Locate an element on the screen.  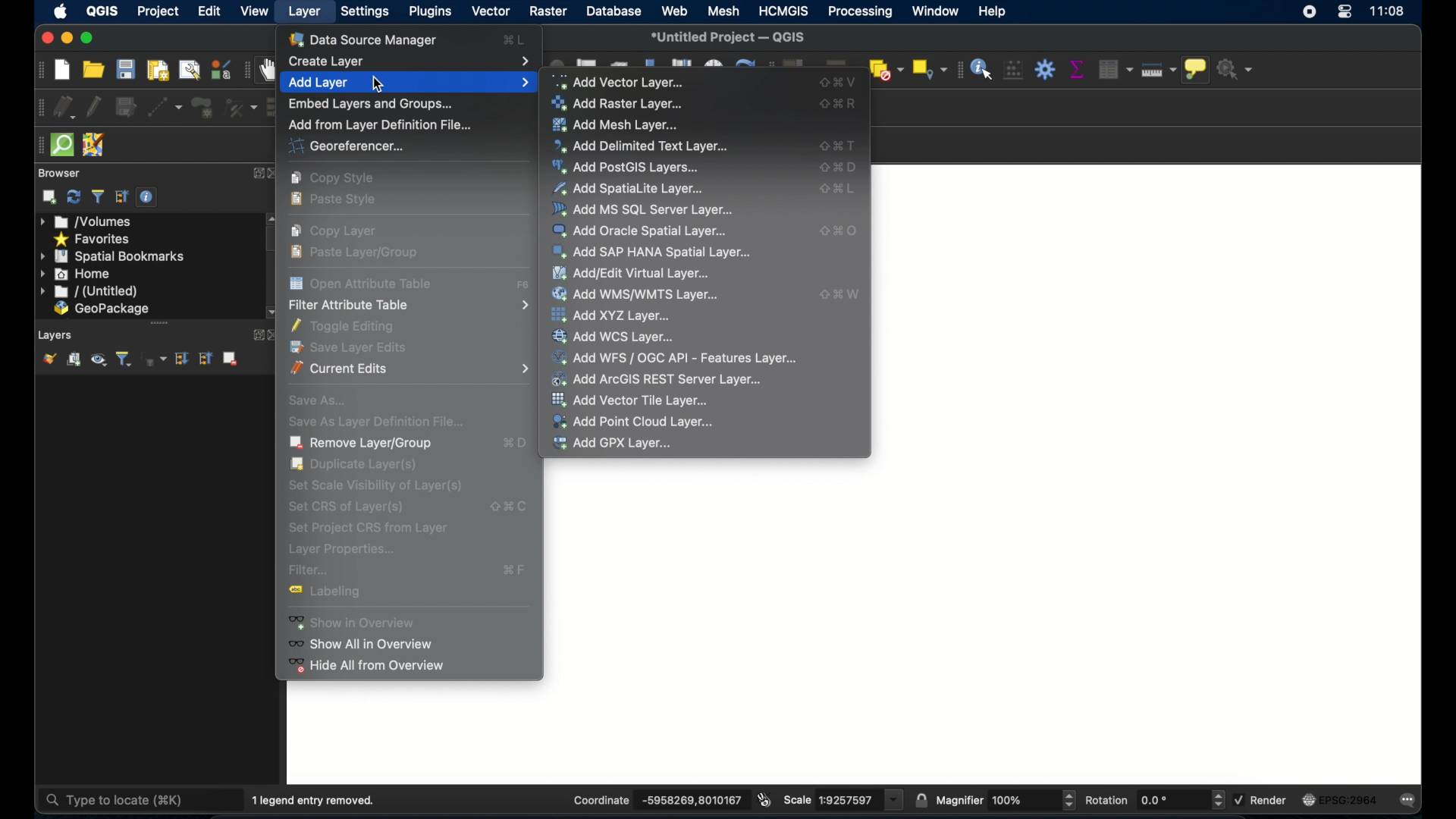
add delimited text layer is located at coordinates (839, 146).